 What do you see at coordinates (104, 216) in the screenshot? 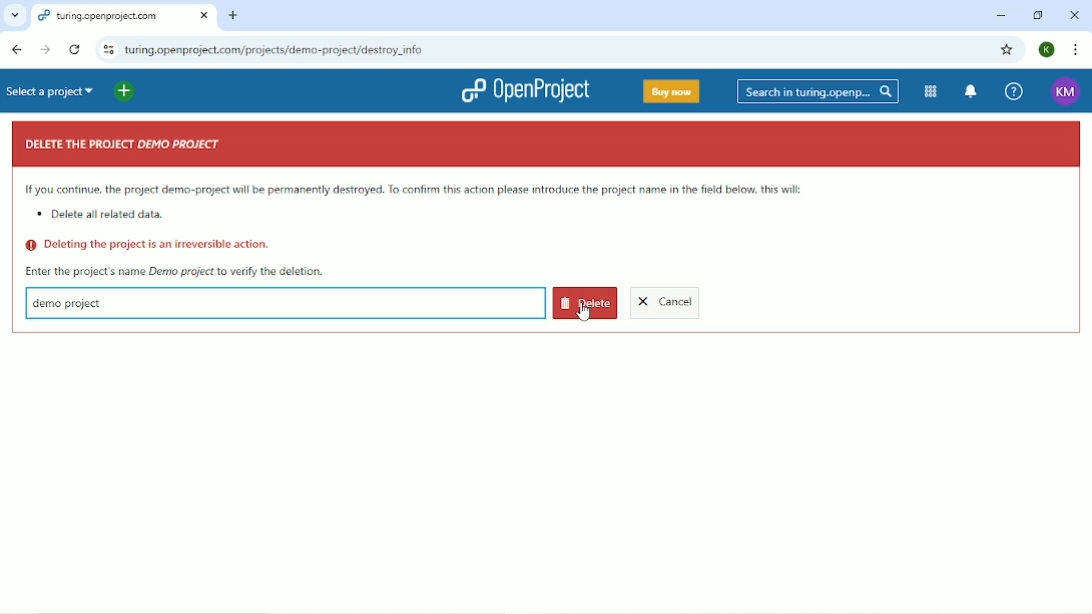
I see `Delete all related data` at bounding box center [104, 216].